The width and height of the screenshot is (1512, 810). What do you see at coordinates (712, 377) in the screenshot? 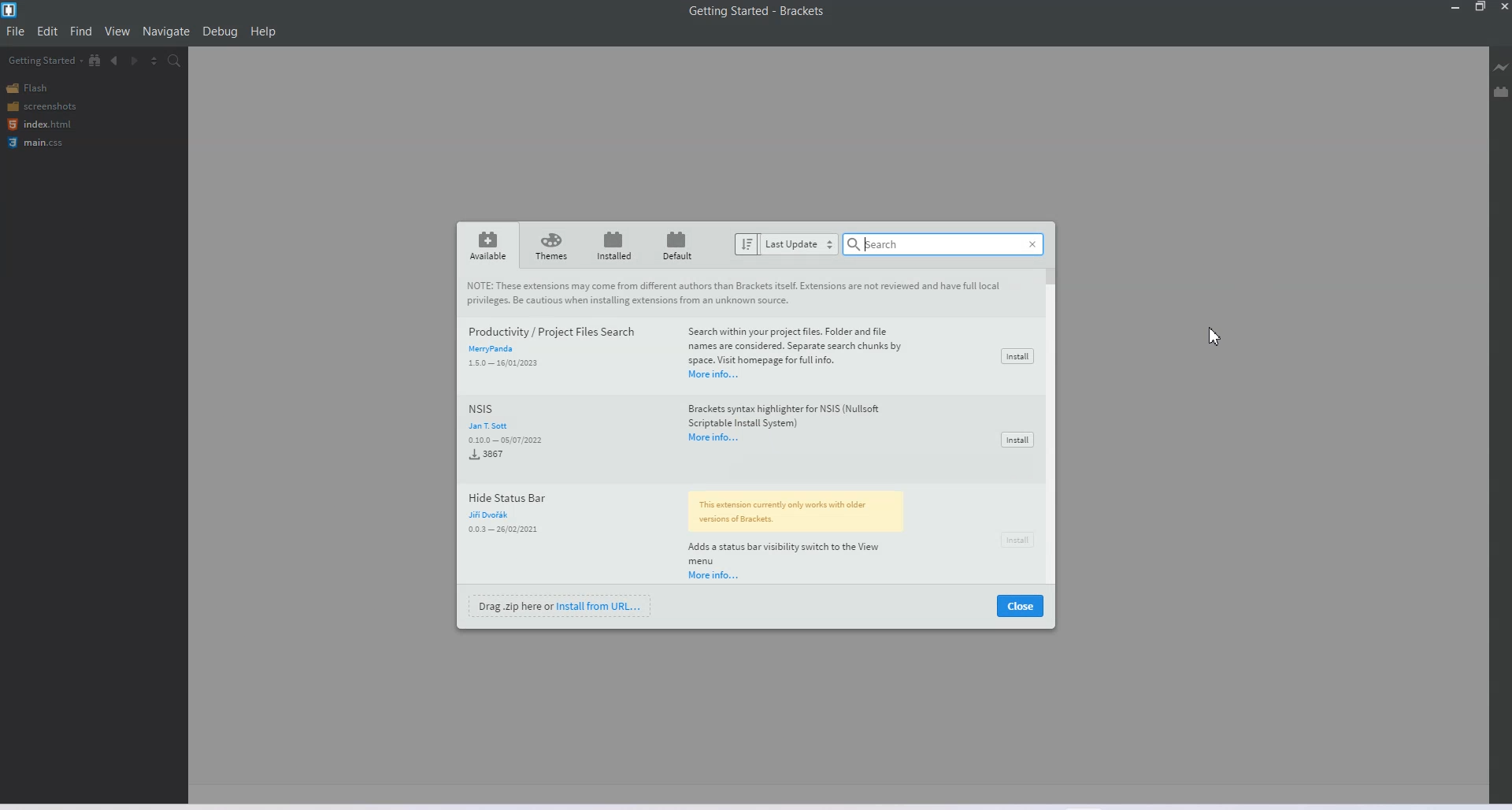
I see `more info` at bounding box center [712, 377].